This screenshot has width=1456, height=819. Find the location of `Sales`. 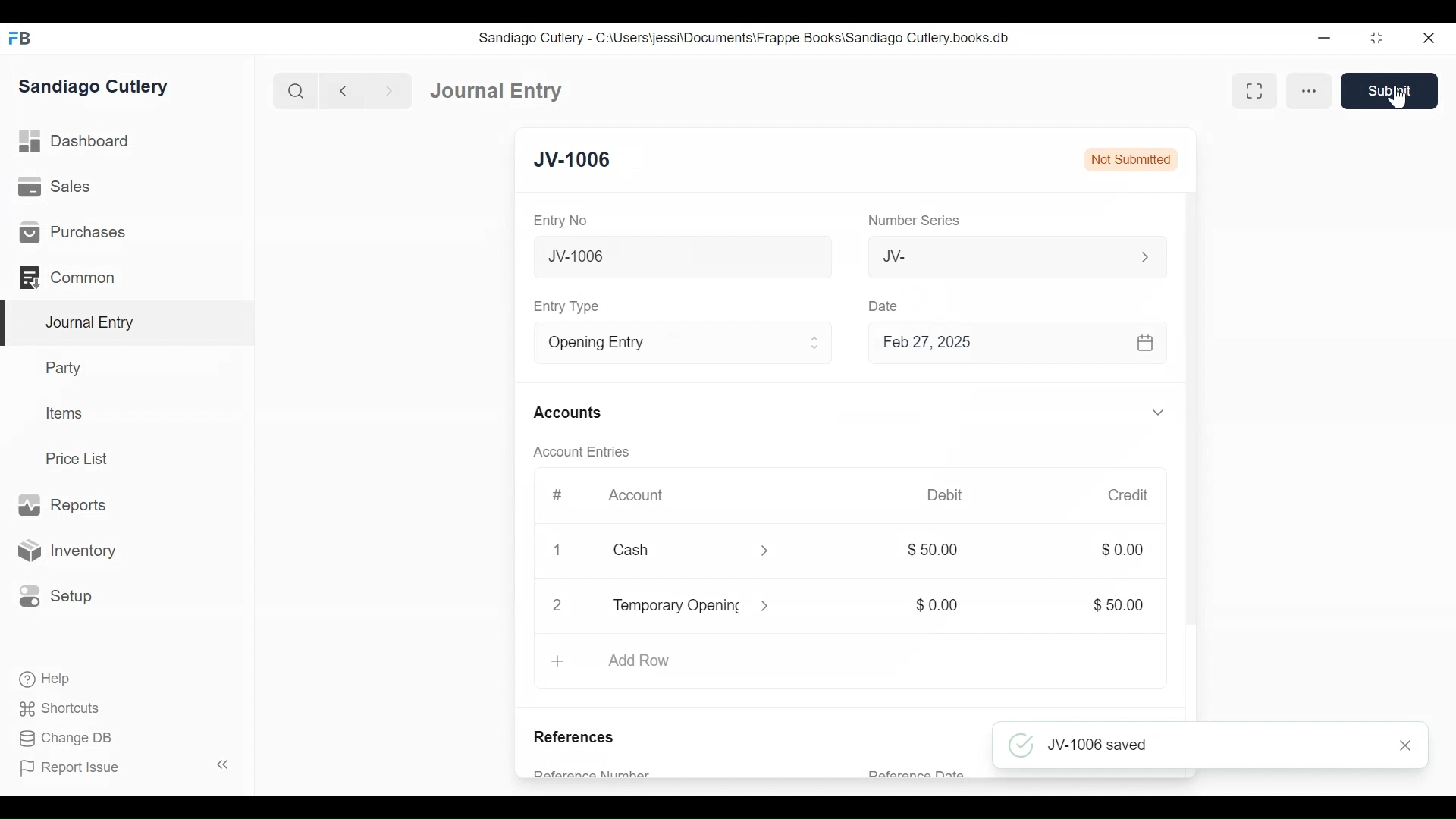

Sales is located at coordinates (55, 186).